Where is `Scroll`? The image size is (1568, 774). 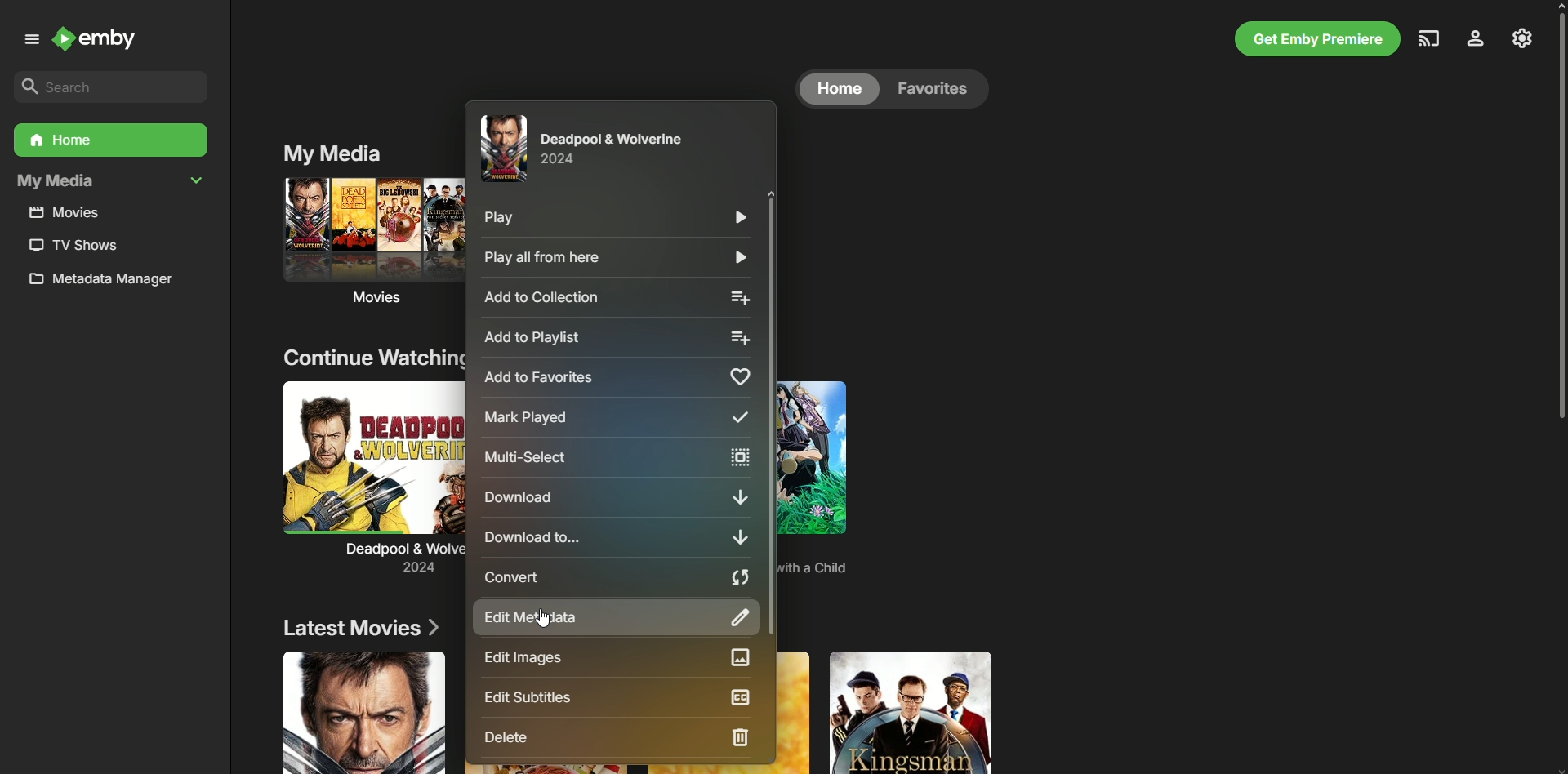
Scroll is located at coordinates (1555, 220).